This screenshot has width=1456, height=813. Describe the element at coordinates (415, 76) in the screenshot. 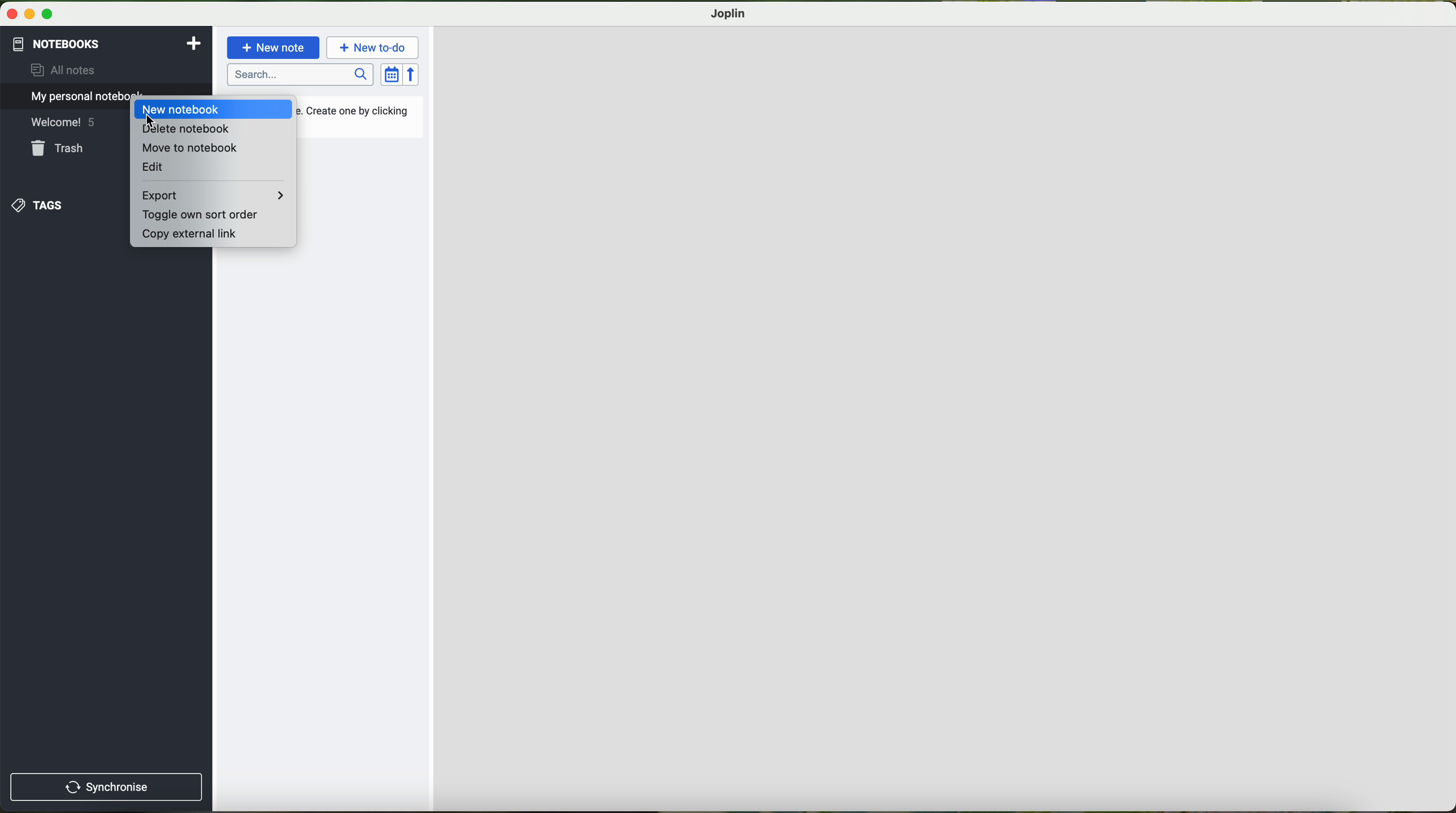

I see `` at that location.